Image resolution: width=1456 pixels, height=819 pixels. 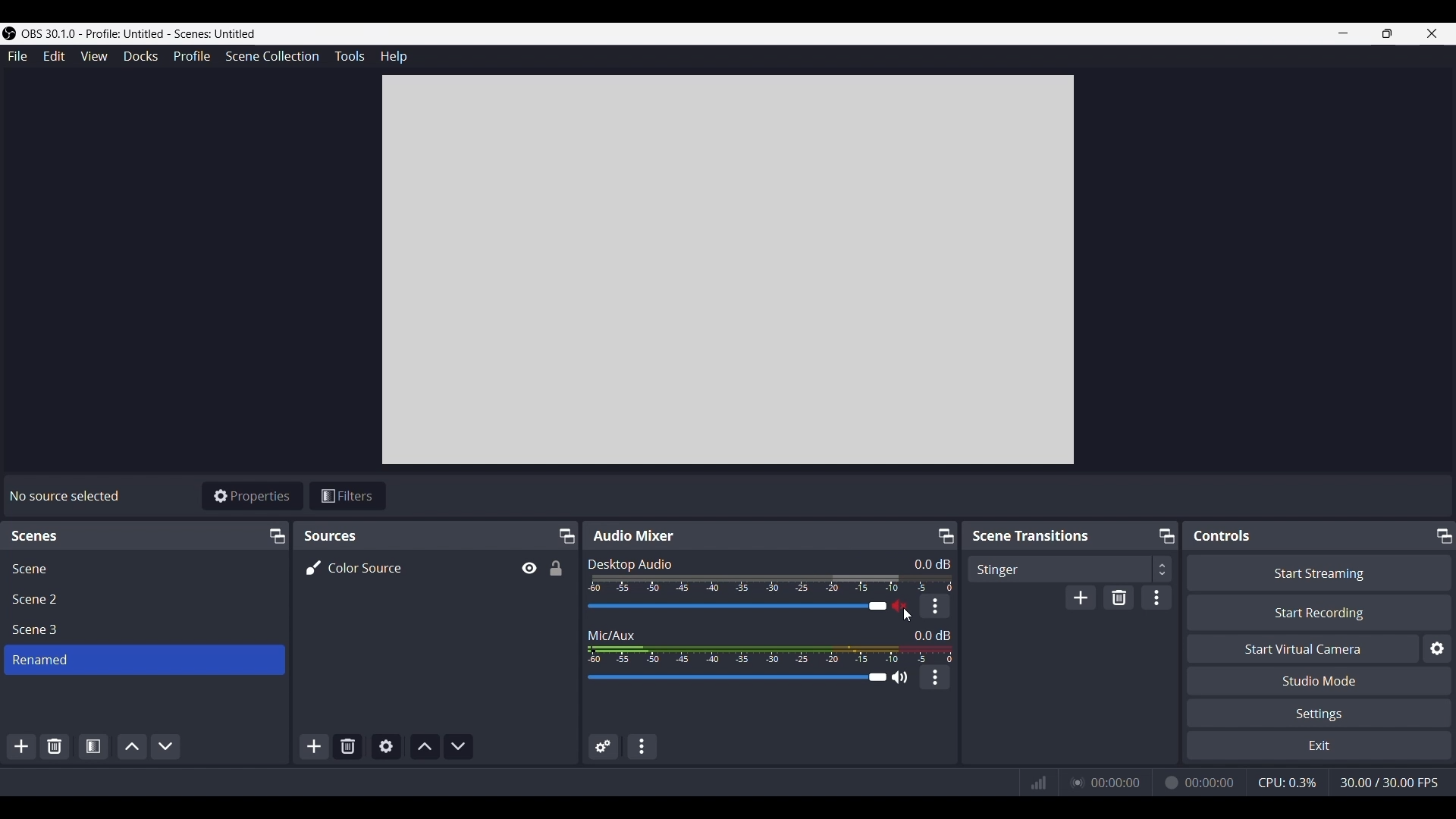 I want to click on restore down, so click(x=1387, y=33).